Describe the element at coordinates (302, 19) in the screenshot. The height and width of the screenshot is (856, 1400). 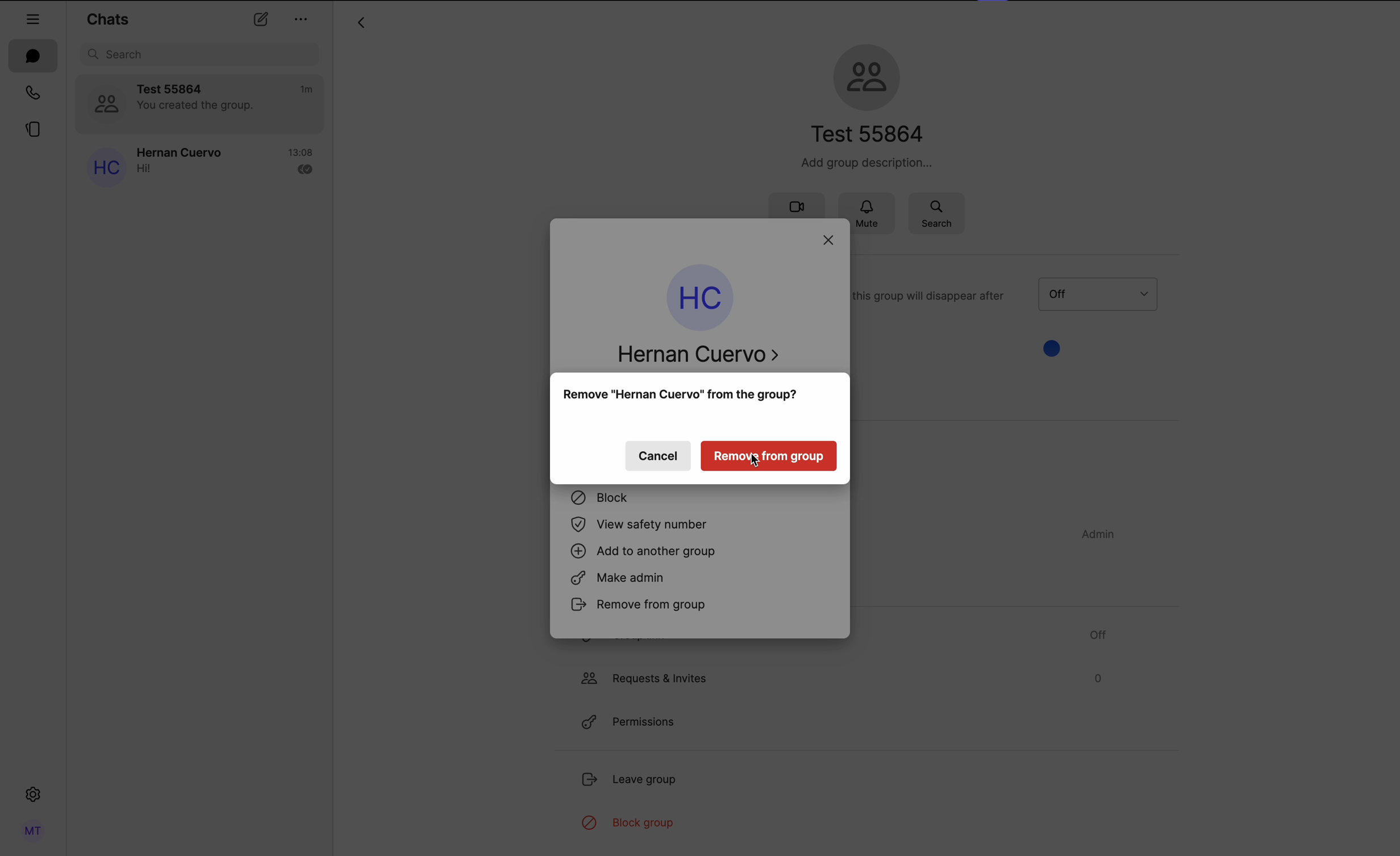
I see `options` at that location.